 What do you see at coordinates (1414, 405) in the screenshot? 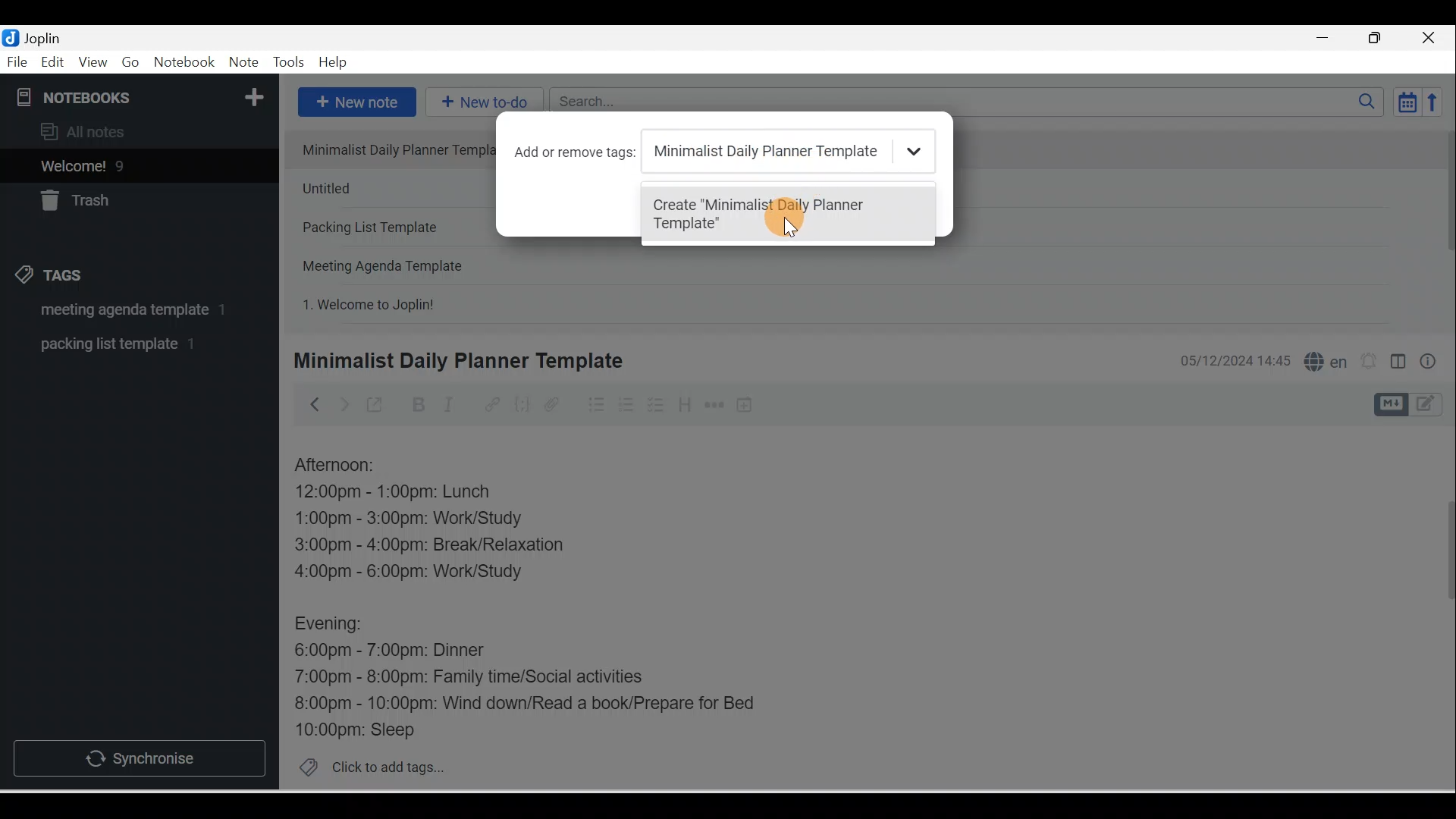
I see `Toggle editor layout` at bounding box center [1414, 405].